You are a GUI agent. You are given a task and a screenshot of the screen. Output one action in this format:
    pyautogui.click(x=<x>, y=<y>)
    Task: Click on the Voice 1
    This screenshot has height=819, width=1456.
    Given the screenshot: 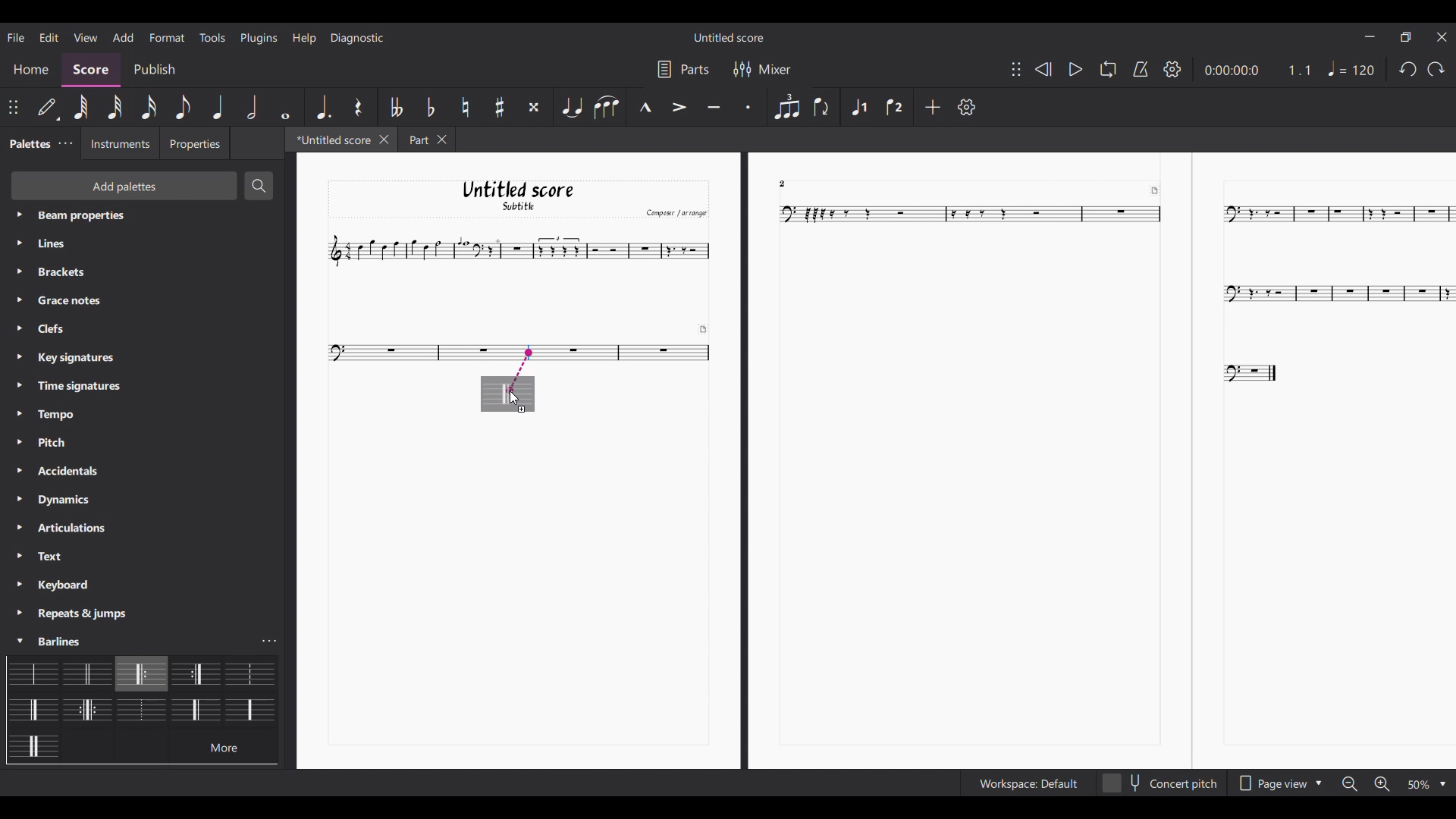 What is the action you would take?
    pyautogui.click(x=859, y=106)
    